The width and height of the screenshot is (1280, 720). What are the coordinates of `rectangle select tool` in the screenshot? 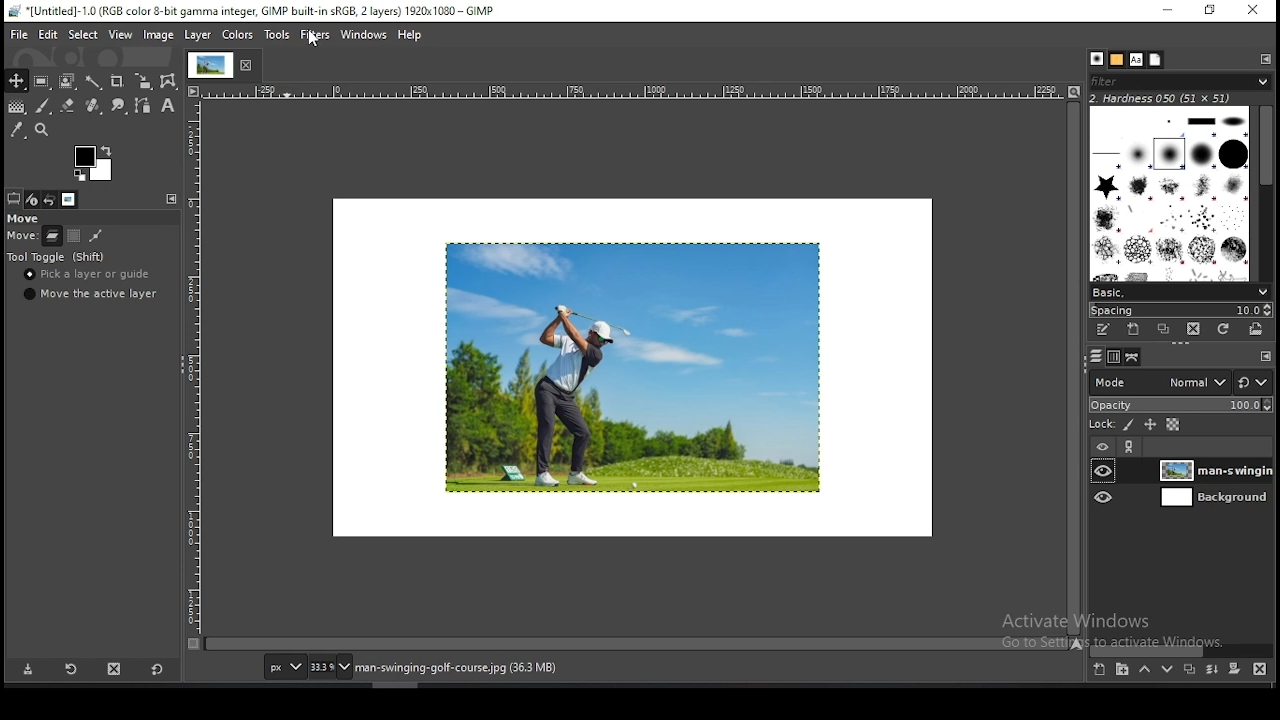 It's located at (42, 82).